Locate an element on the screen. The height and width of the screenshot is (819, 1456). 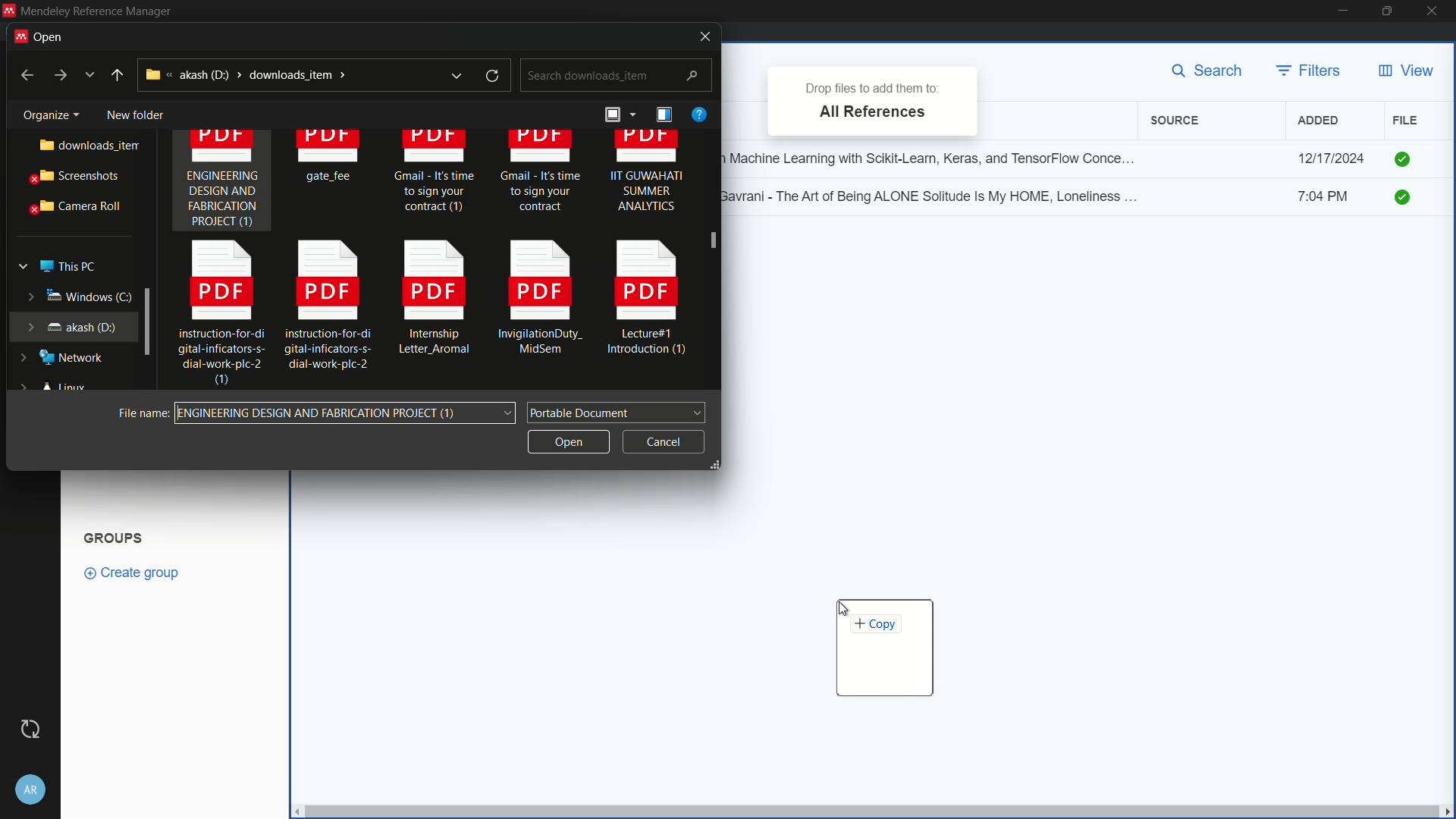
details is located at coordinates (664, 115).